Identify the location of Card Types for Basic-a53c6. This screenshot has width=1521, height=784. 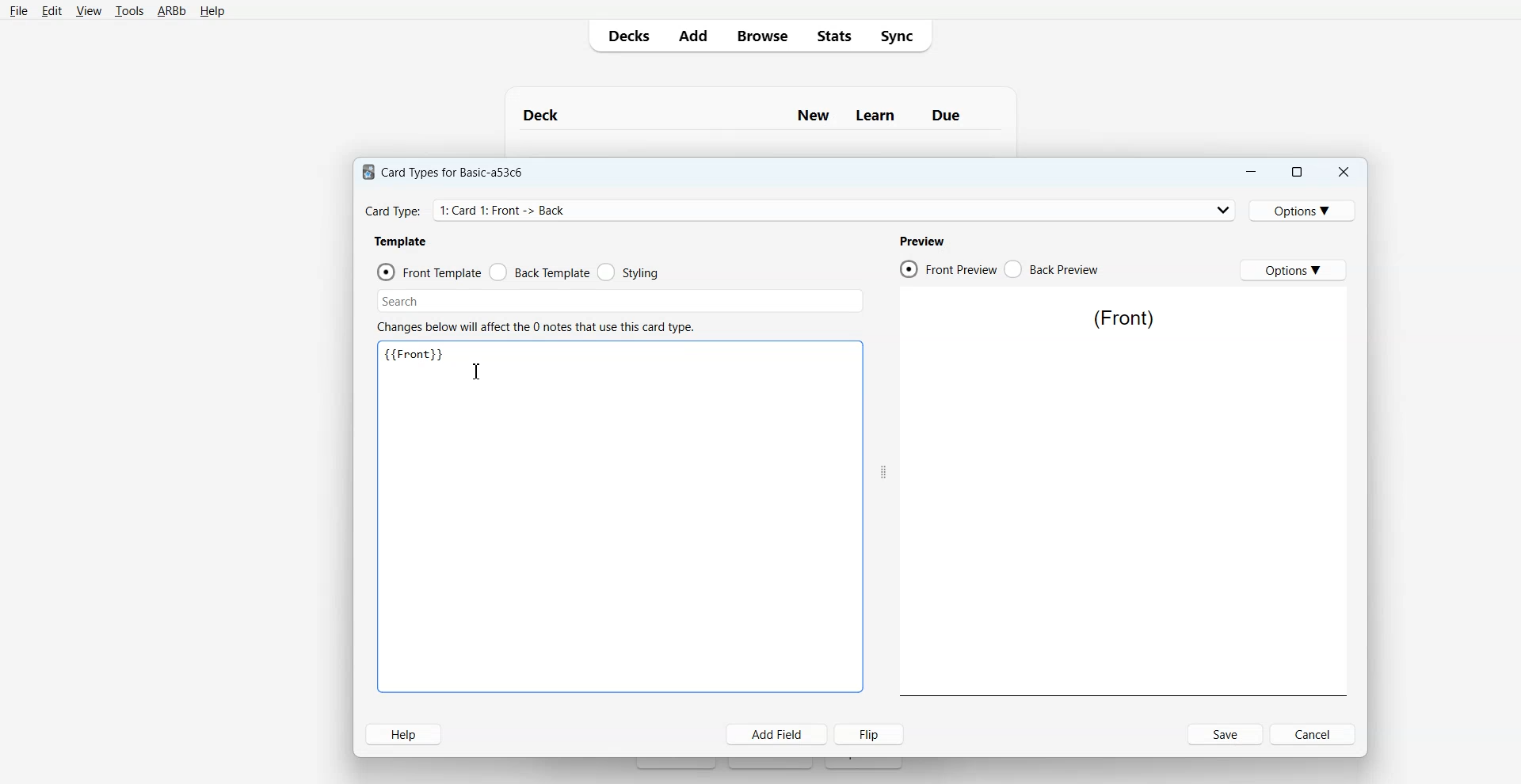
(444, 171).